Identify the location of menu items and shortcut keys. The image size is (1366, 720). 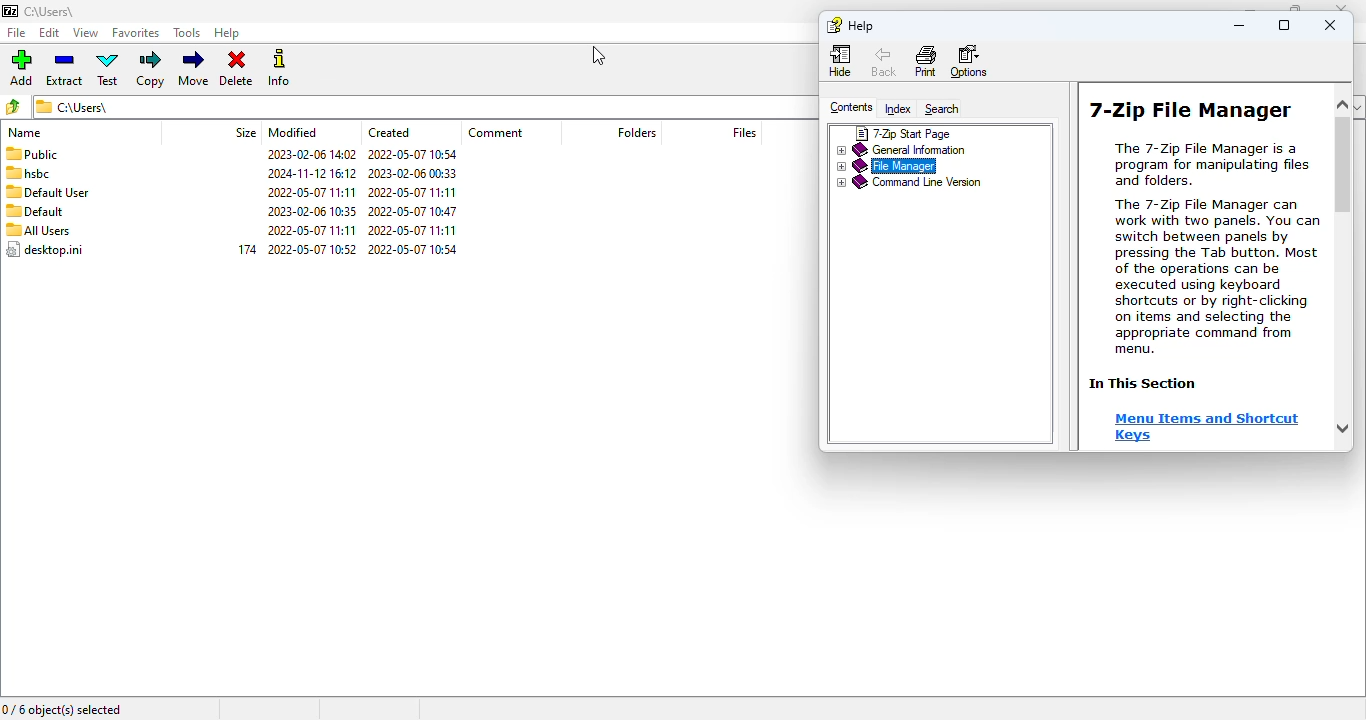
(1208, 429).